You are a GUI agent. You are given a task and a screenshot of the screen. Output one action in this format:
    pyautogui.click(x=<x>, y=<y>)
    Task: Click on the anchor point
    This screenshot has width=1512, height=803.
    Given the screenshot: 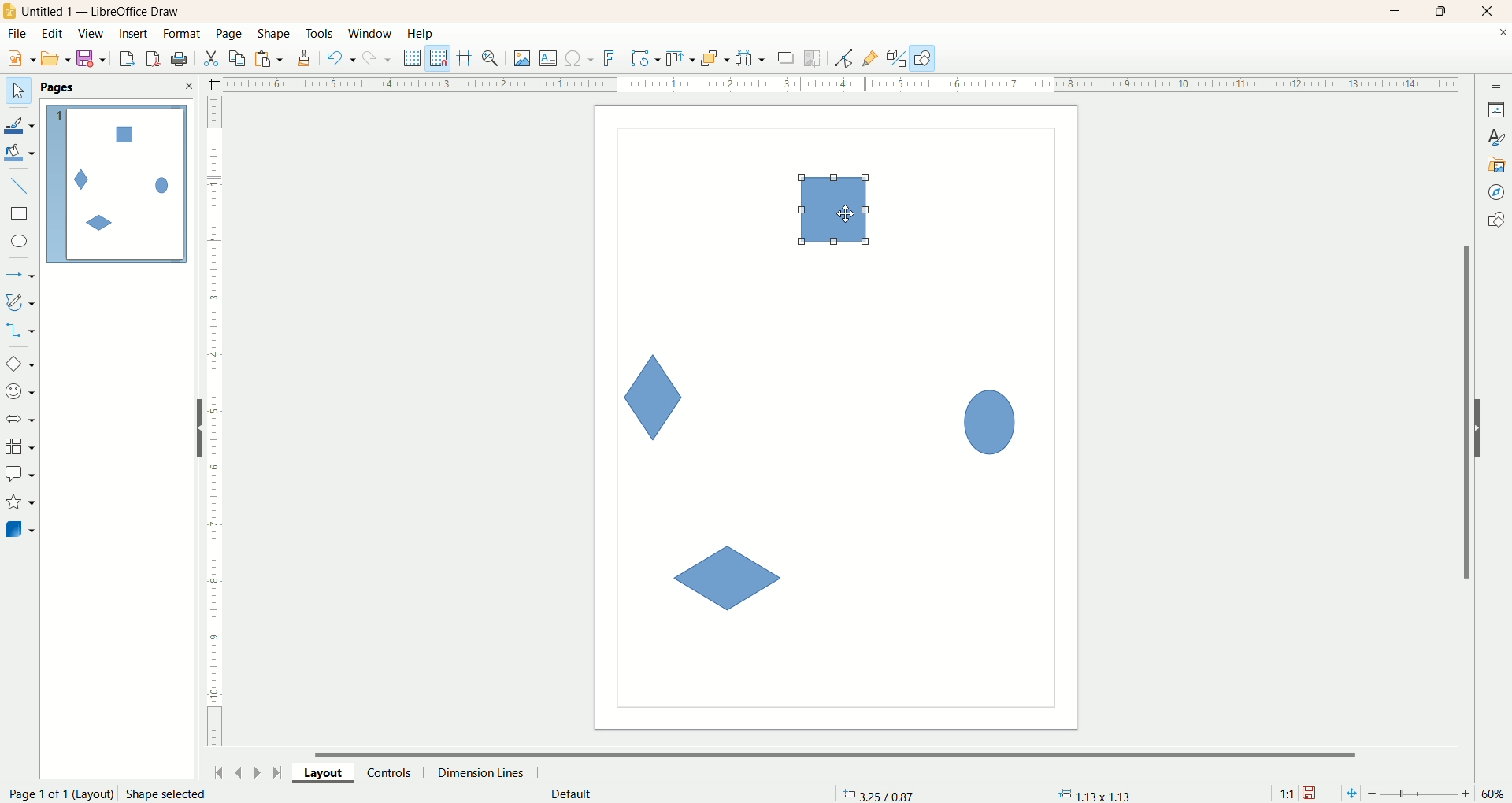 What is the action you would take?
    pyautogui.click(x=1092, y=794)
    